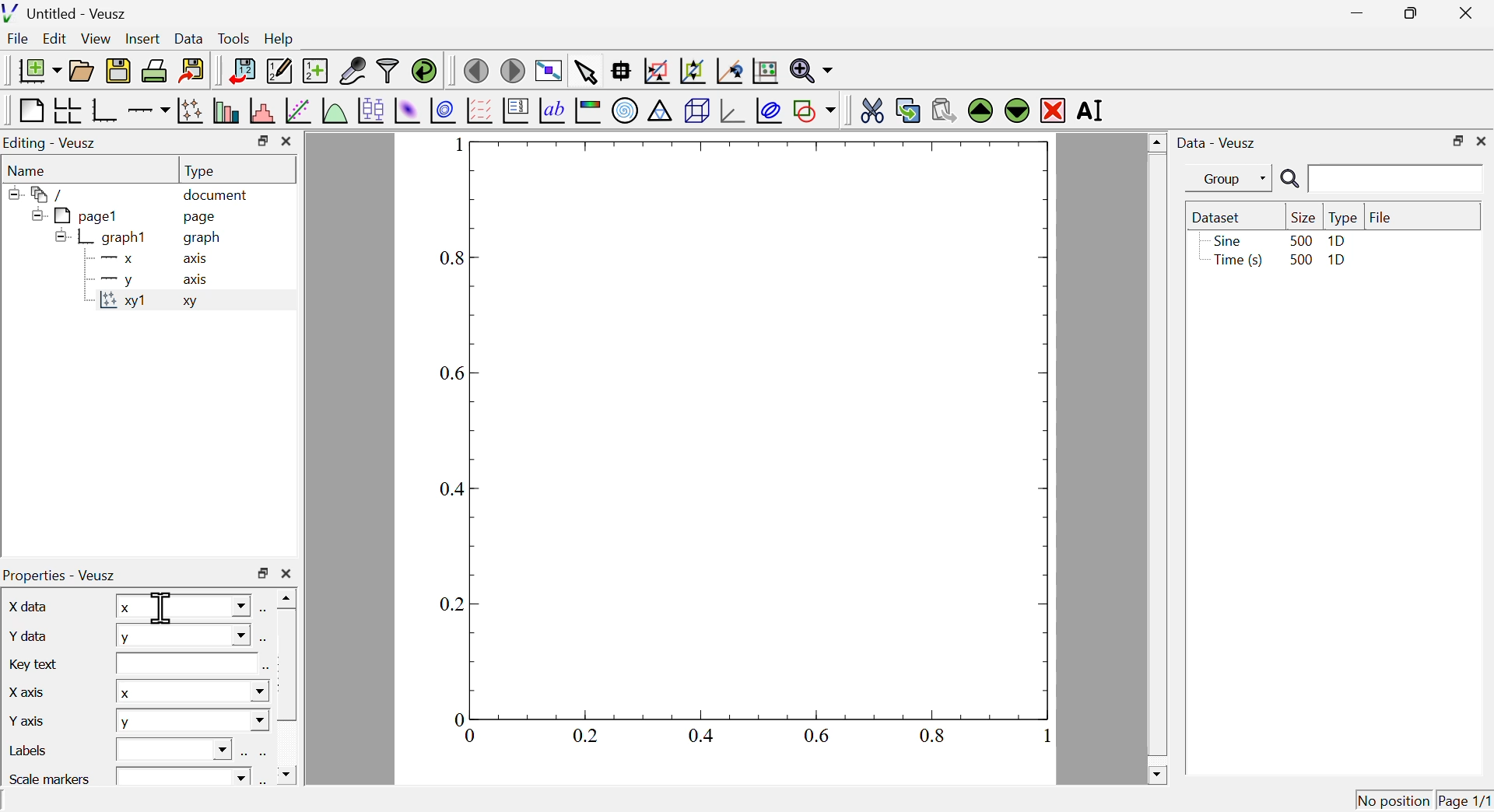  Describe the element at coordinates (1455, 140) in the screenshot. I see `maximize` at that location.